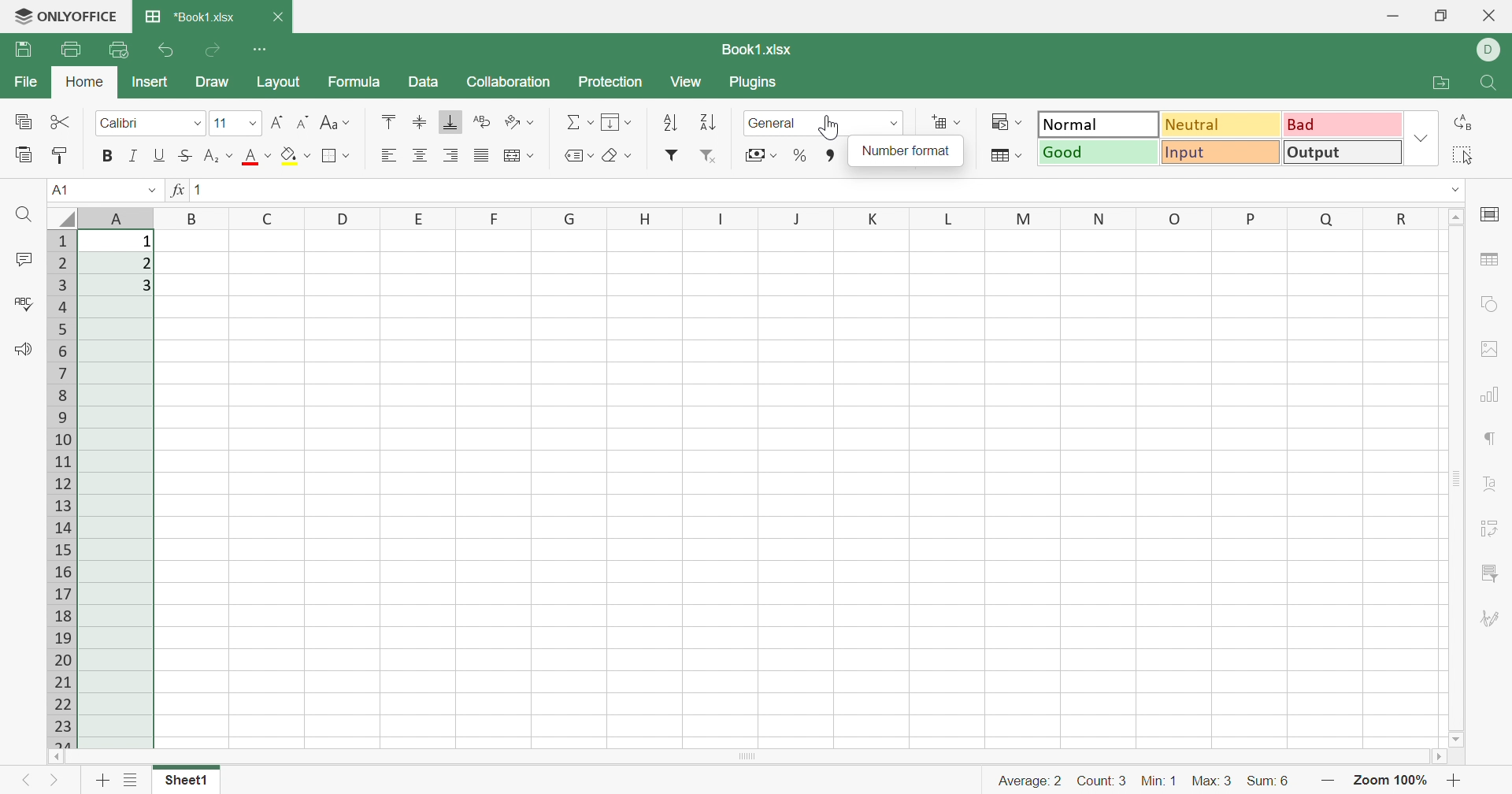  Describe the element at coordinates (27, 260) in the screenshot. I see `Comments` at that location.